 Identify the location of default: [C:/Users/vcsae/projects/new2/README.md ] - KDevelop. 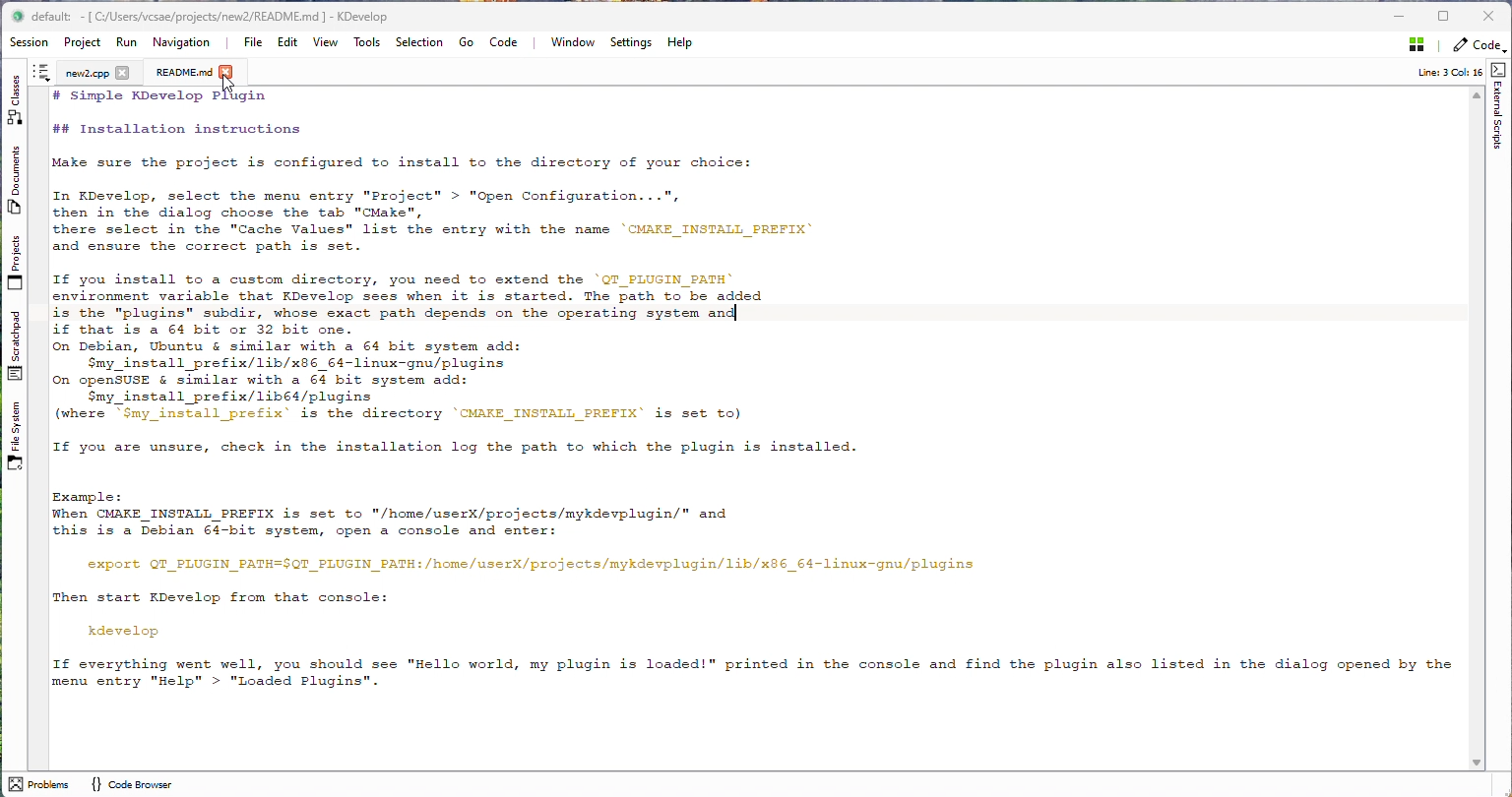
(207, 18).